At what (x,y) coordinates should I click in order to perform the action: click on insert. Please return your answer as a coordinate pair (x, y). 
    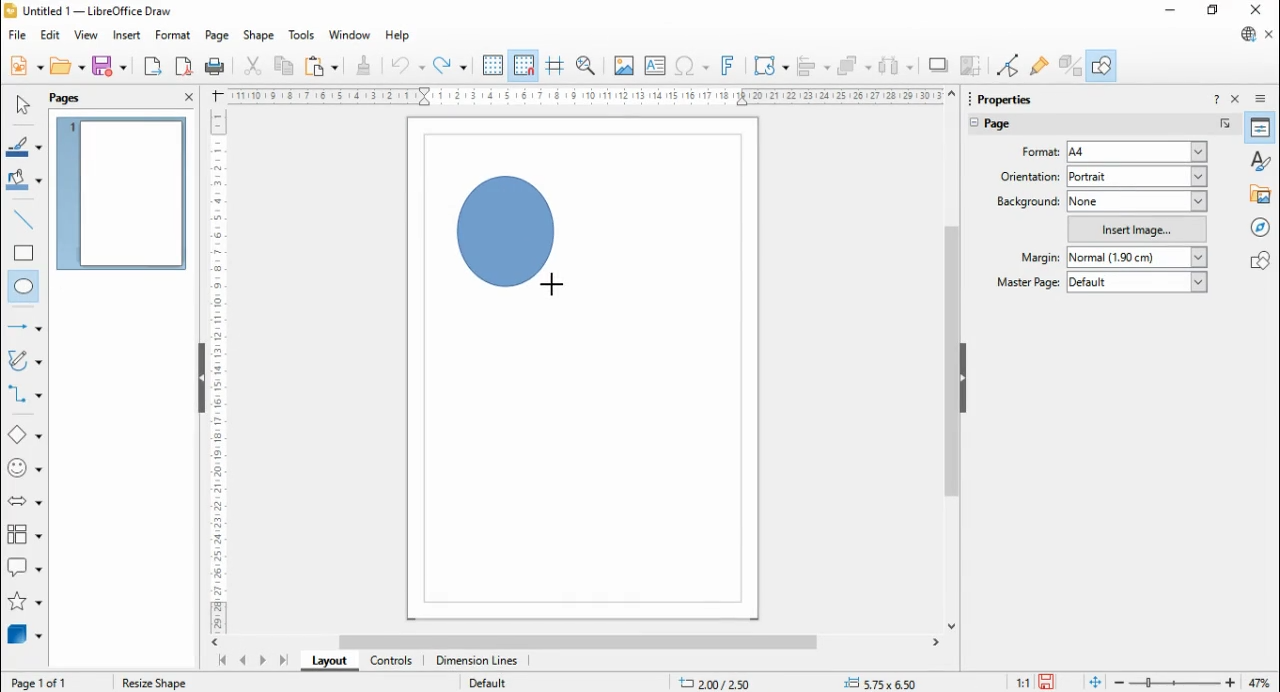
    Looking at the image, I should click on (126, 36).